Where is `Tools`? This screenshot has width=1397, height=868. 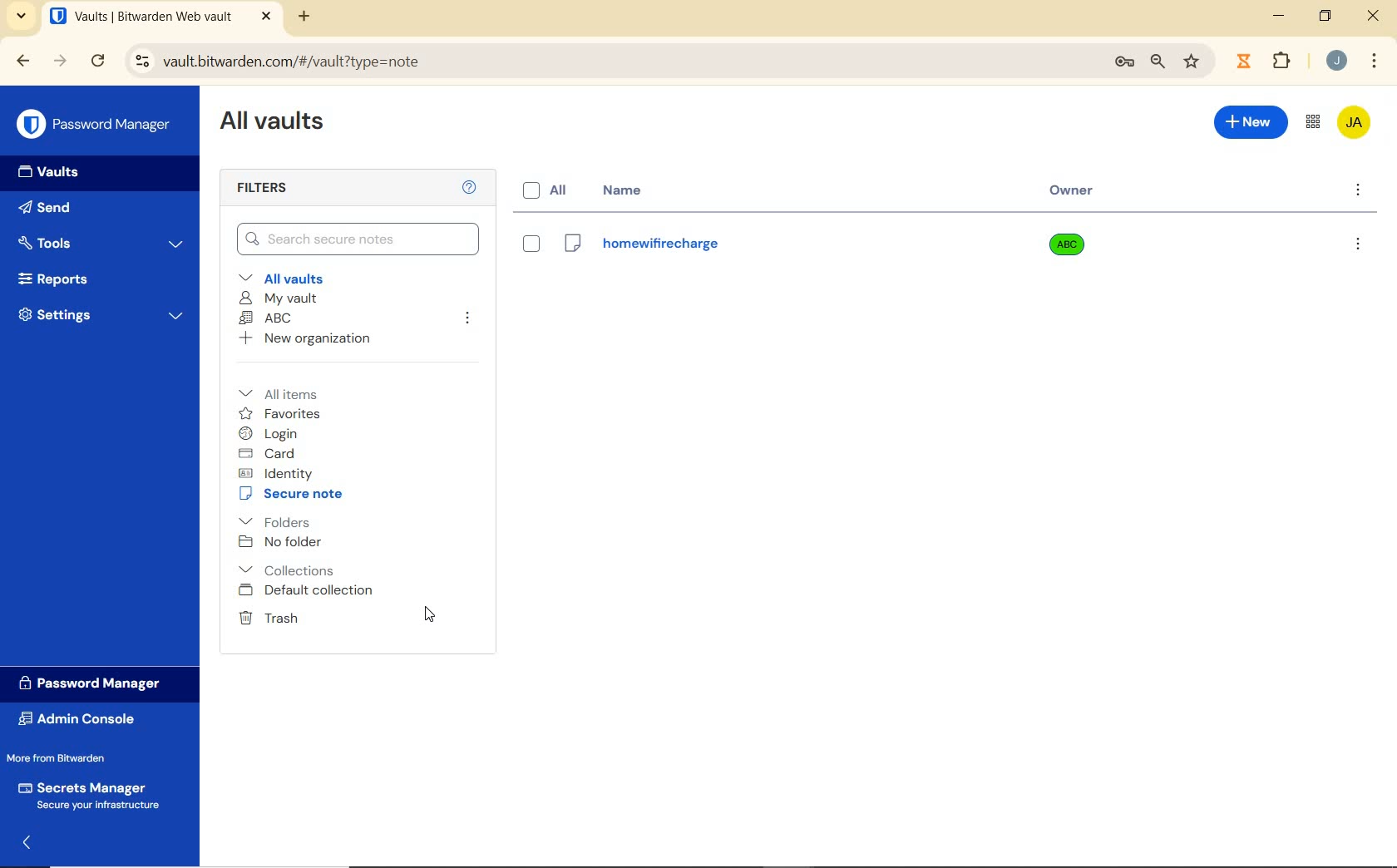 Tools is located at coordinates (102, 242).